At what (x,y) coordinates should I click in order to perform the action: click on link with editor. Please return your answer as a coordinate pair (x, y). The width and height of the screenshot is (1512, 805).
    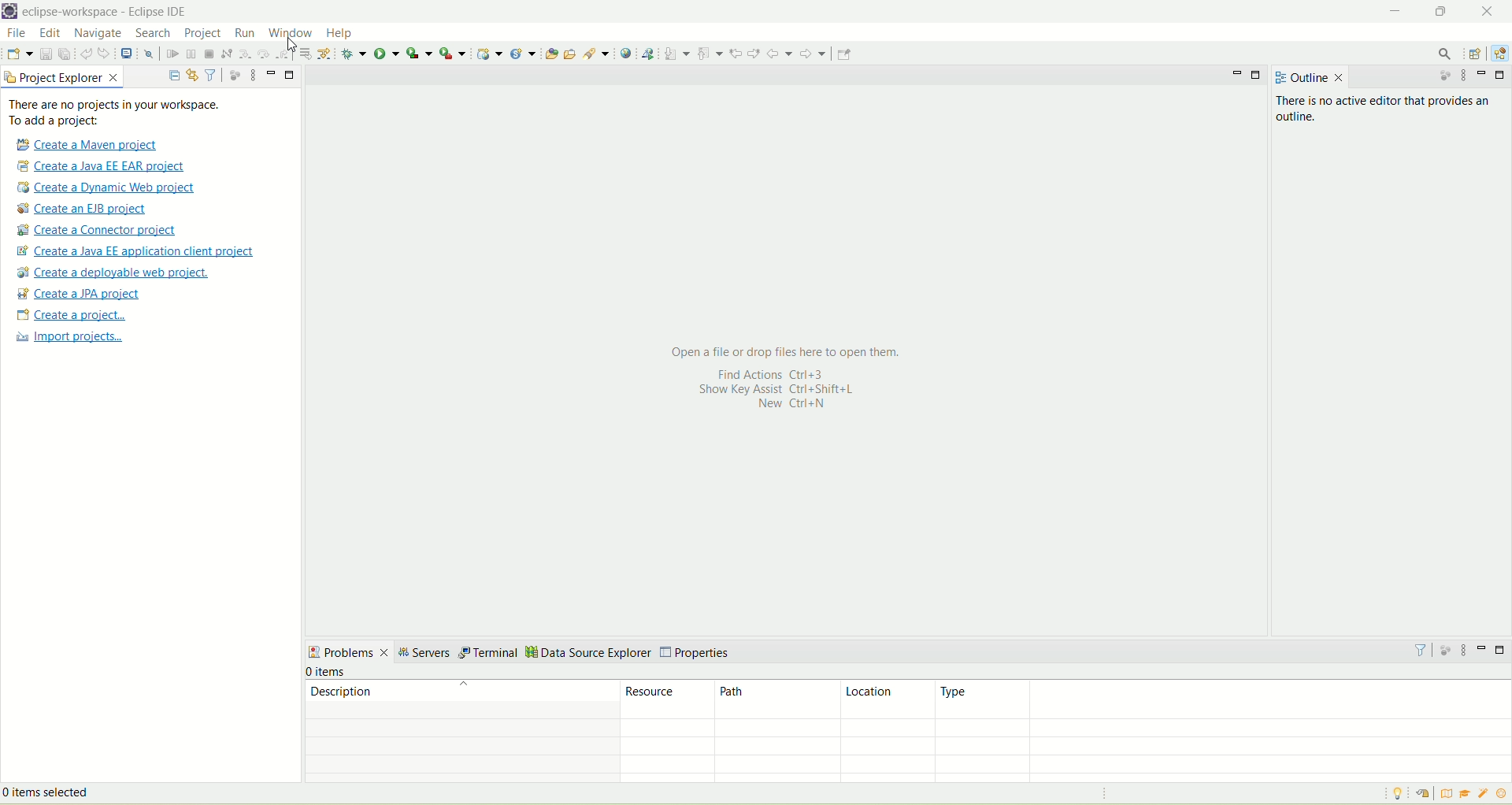
    Looking at the image, I should click on (192, 74).